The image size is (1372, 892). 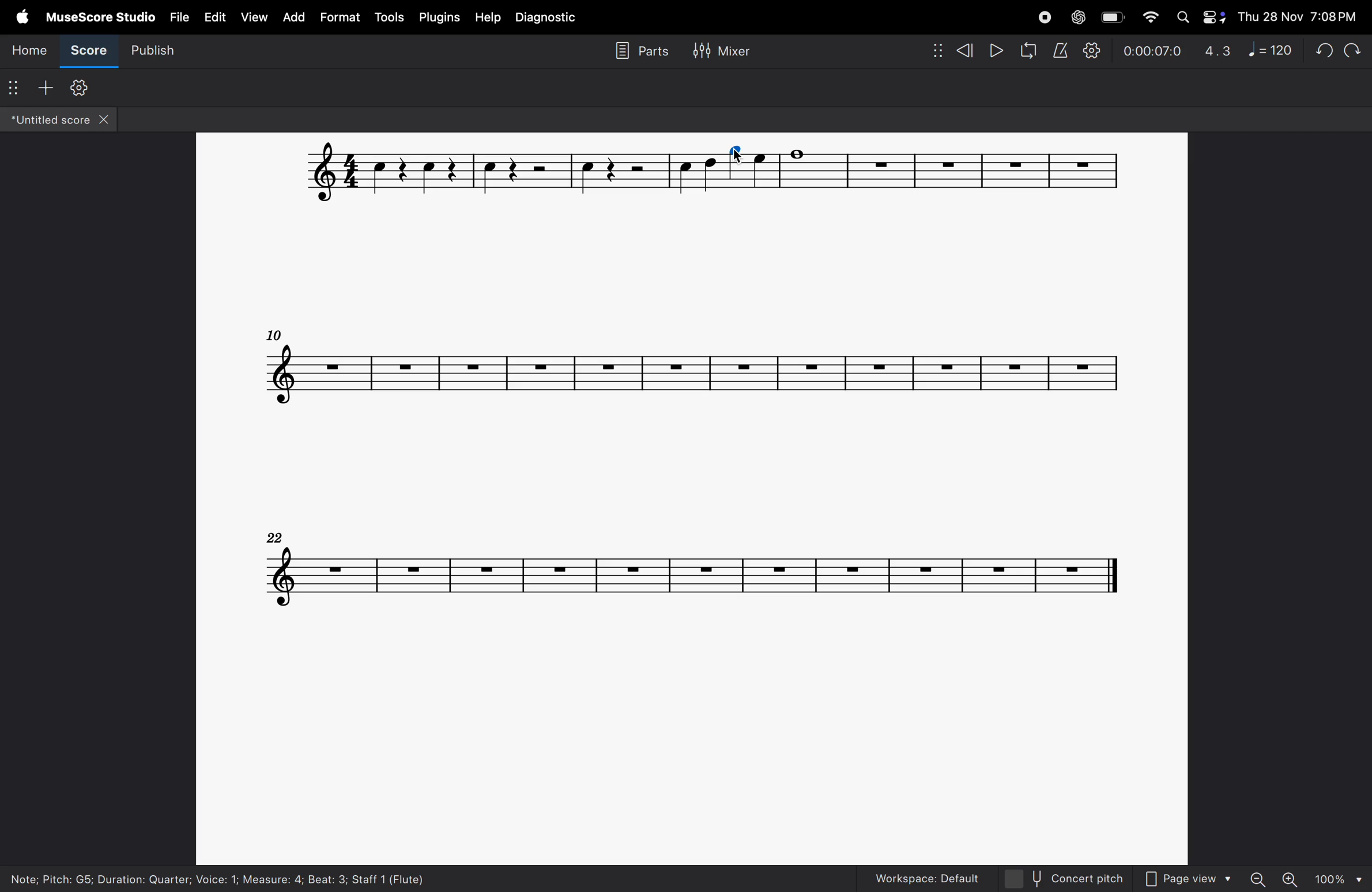 I want to click on page view, so click(x=1189, y=880).